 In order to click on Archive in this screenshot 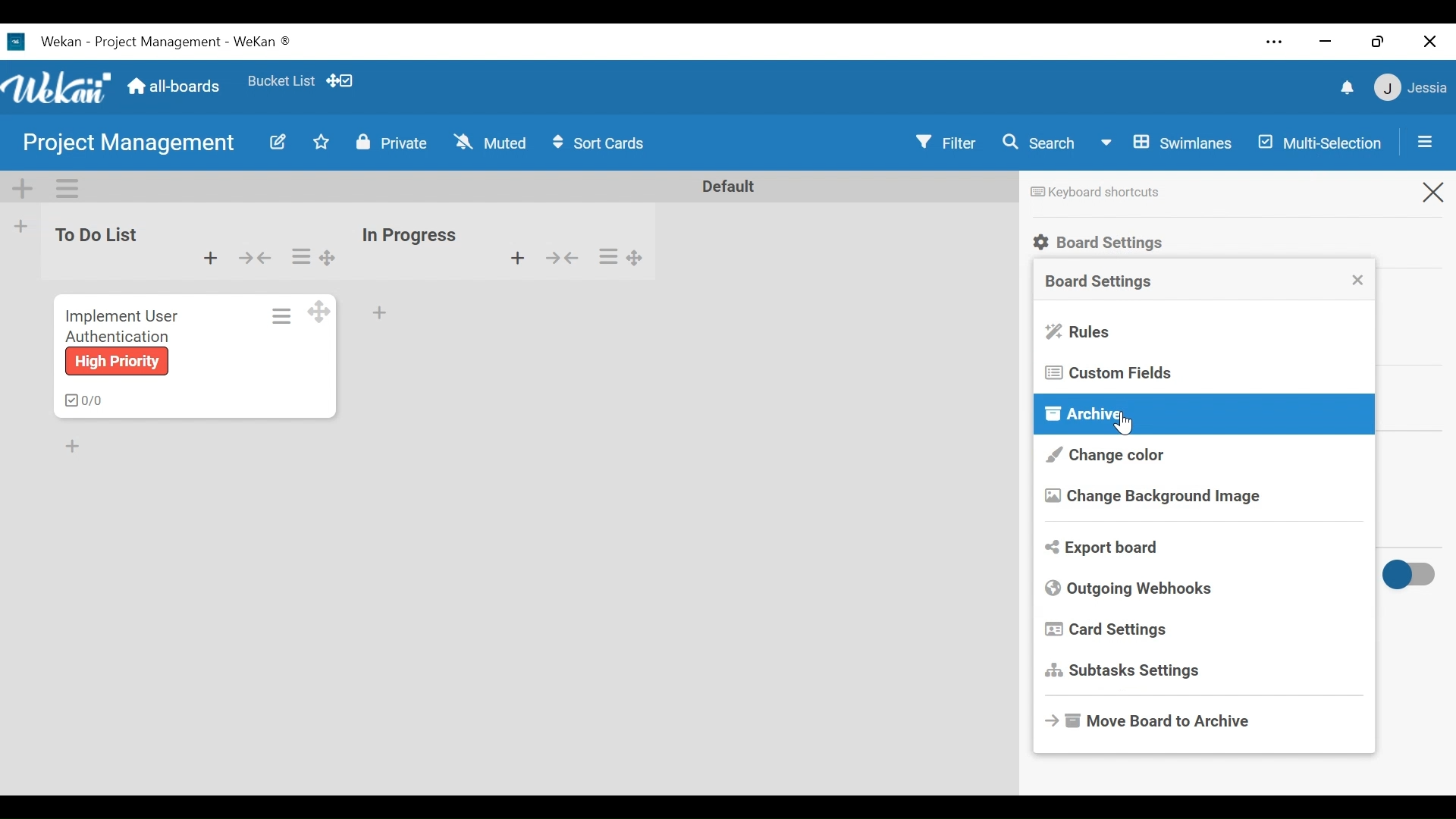, I will do `click(1203, 413)`.